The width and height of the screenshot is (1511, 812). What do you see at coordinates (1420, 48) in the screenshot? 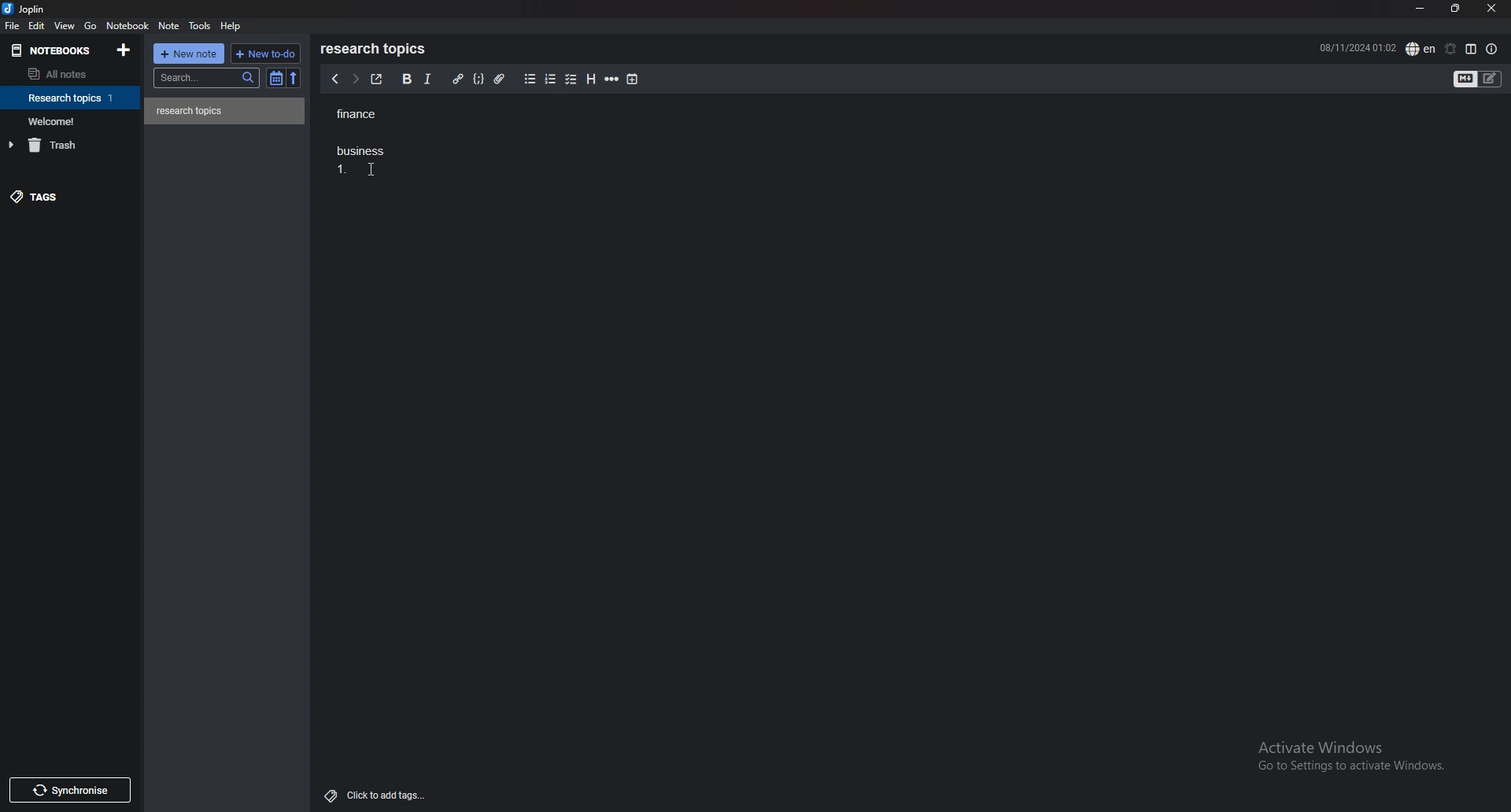
I see `spell check` at bounding box center [1420, 48].